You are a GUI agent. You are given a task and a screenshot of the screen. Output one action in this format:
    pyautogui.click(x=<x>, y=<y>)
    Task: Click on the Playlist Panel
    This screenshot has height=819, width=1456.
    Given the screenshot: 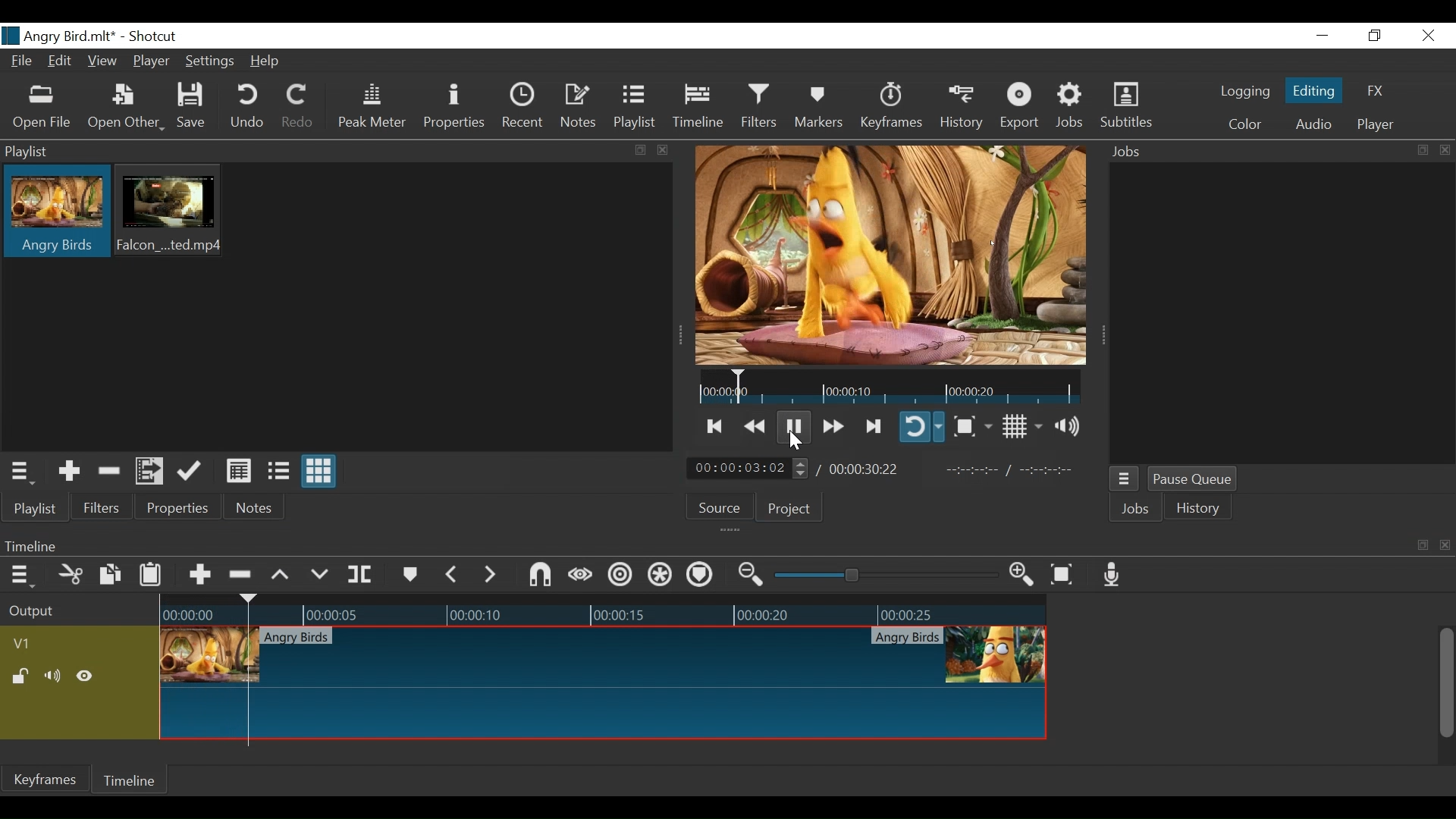 What is the action you would take?
    pyautogui.click(x=333, y=152)
    